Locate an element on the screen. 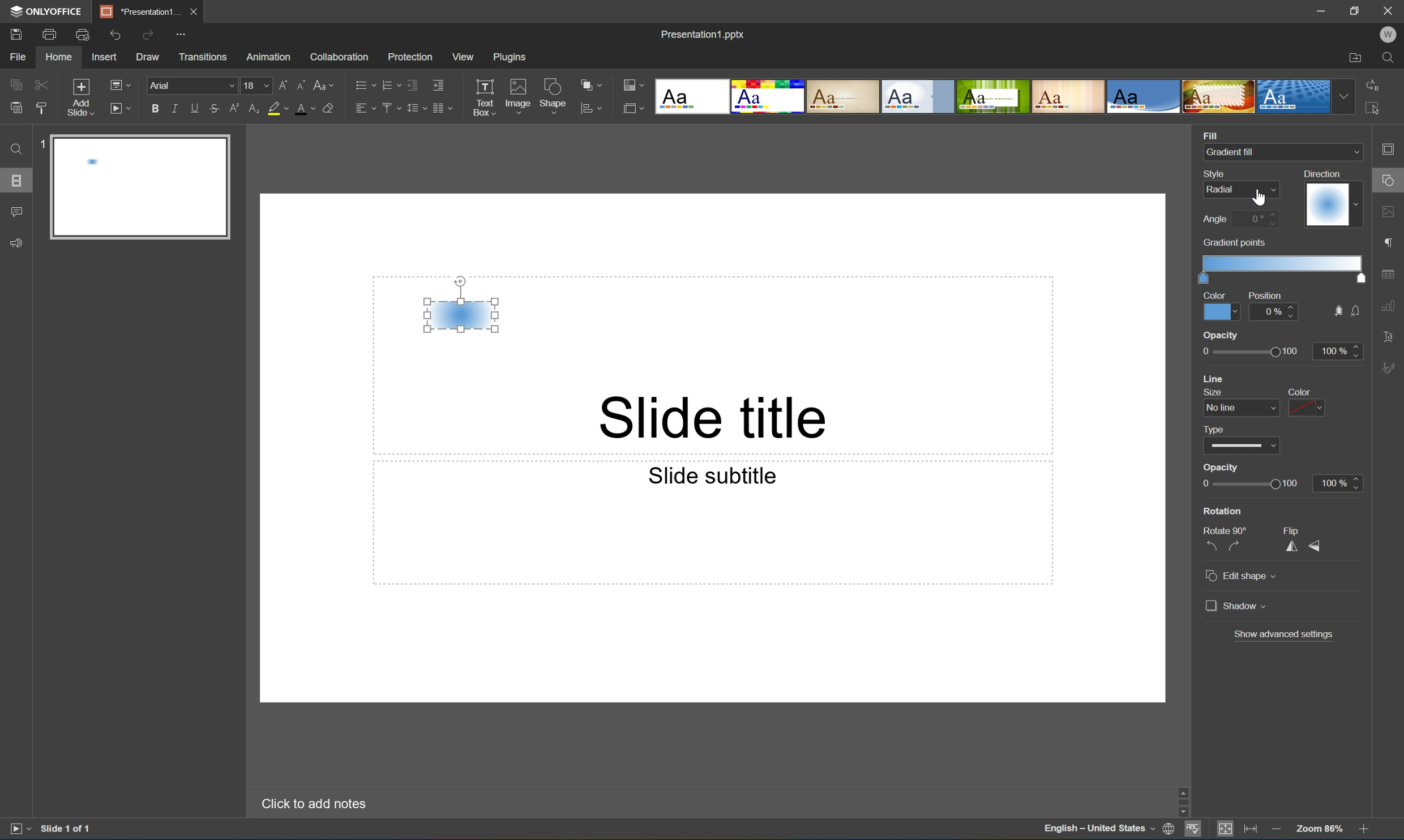  Copy is located at coordinates (16, 84).